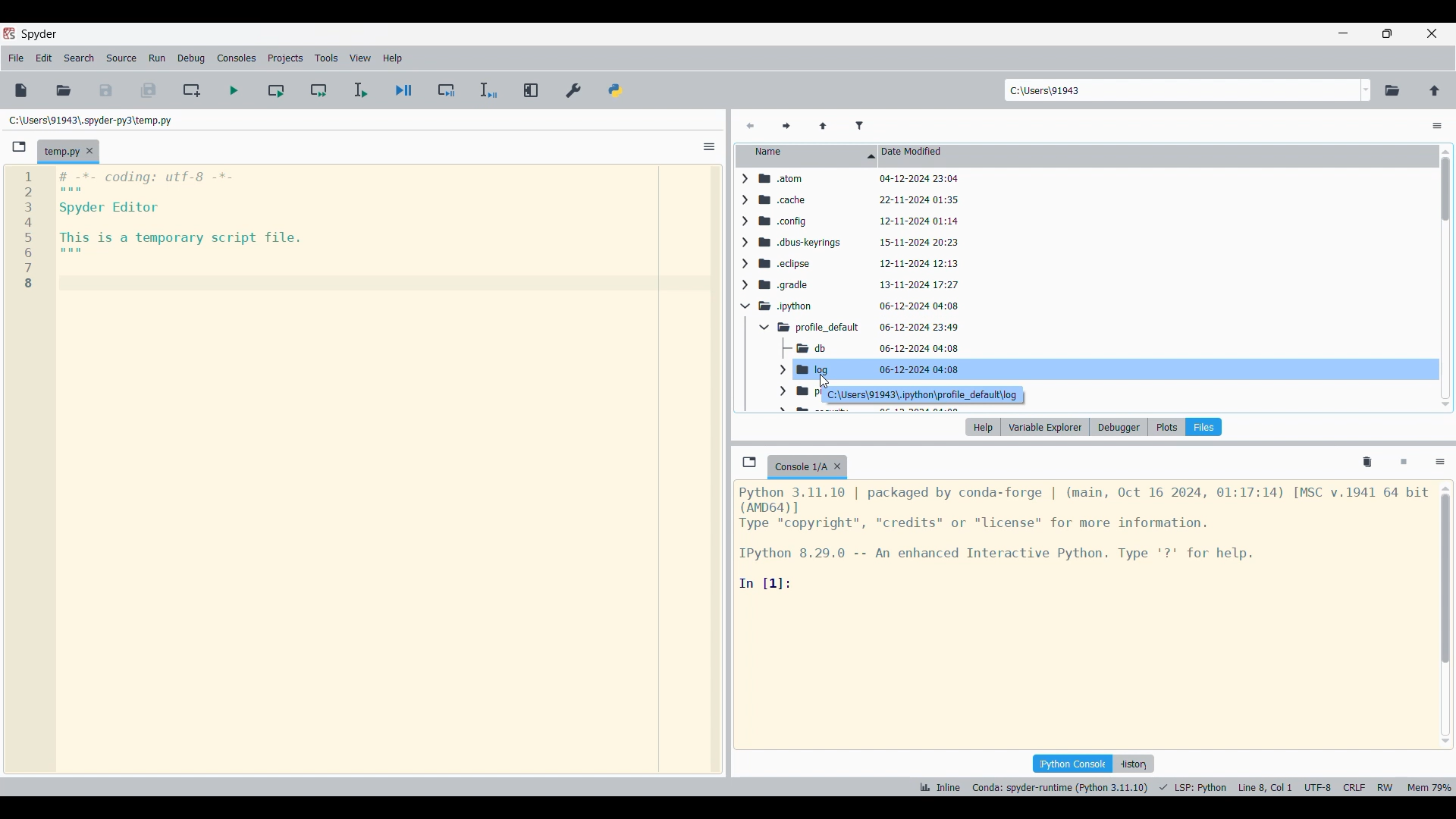  Describe the element at coordinates (1343, 33) in the screenshot. I see `Minimize` at that location.